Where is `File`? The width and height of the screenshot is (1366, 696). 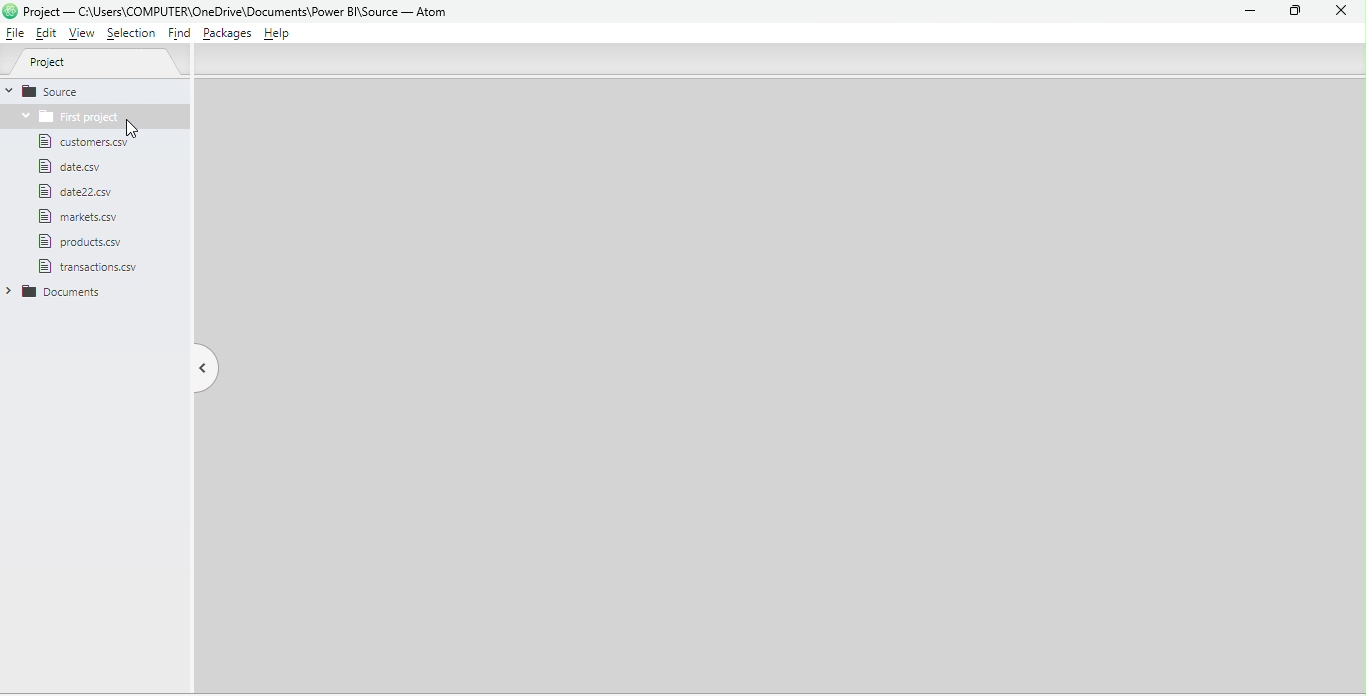
File is located at coordinates (89, 240).